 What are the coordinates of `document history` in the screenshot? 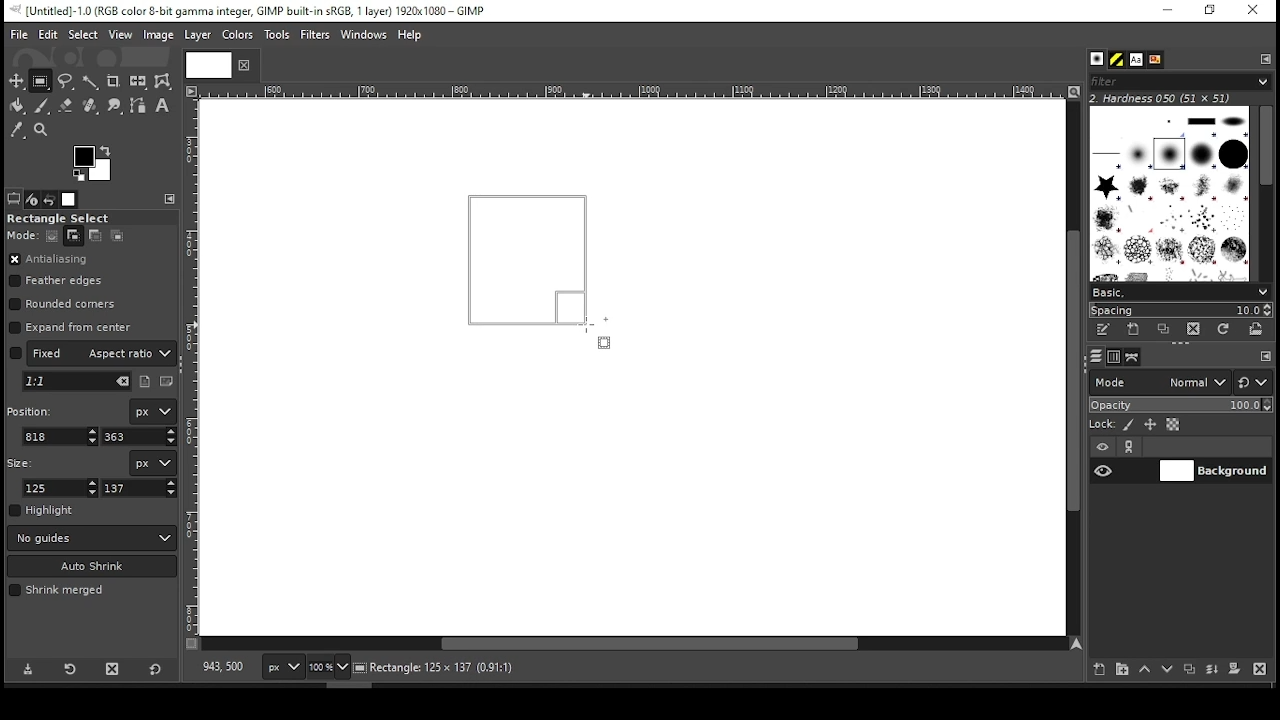 It's located at (1154, 60).